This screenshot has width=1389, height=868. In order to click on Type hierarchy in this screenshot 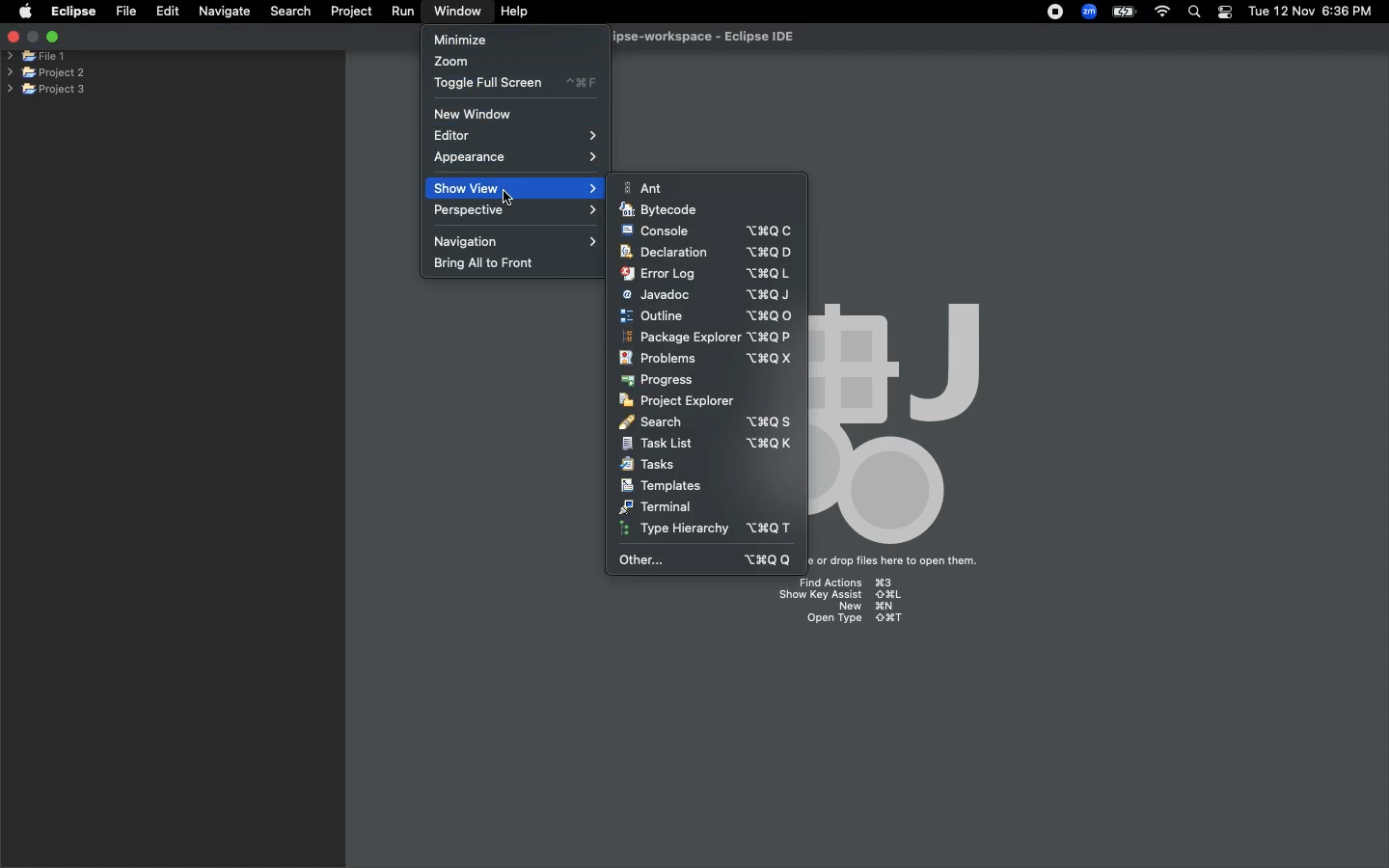, I will do `click(711, 530)`.